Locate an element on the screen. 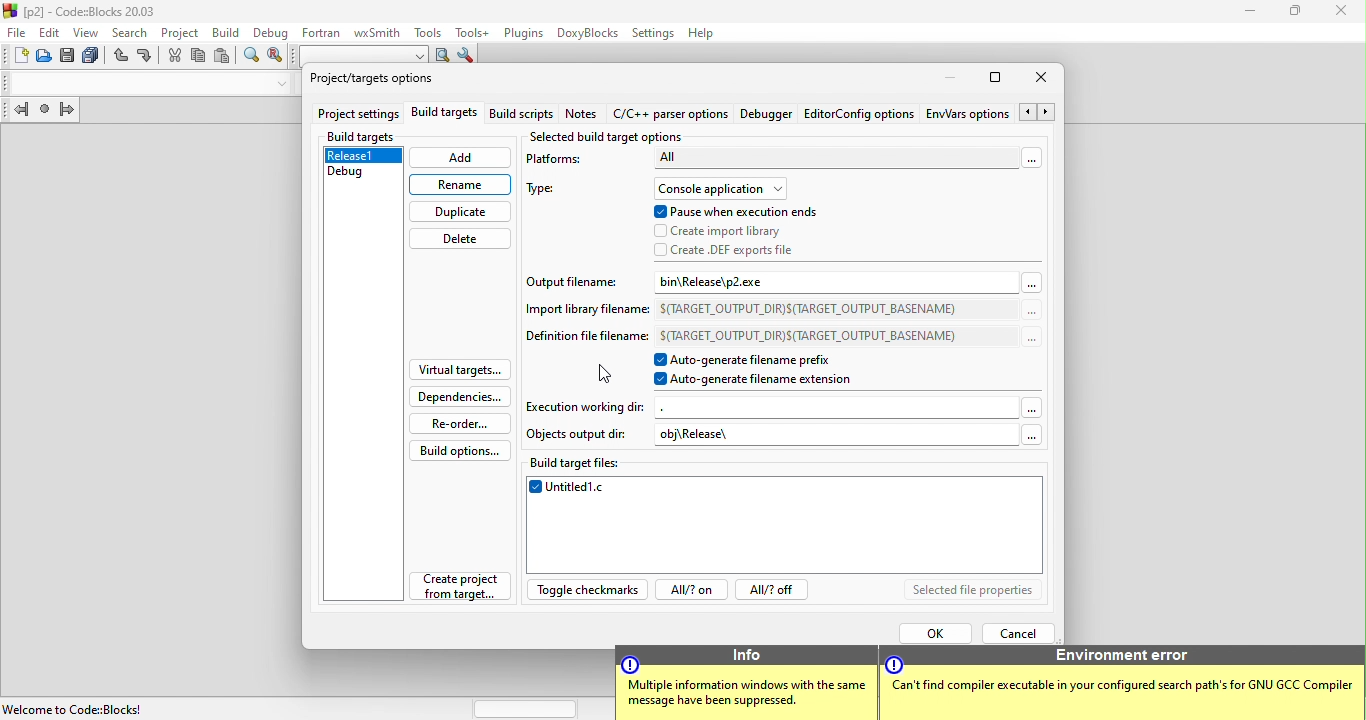 Image resolution: width=1366 pixels, height=720 pixels. maximize is located at coordinates (996, 81).